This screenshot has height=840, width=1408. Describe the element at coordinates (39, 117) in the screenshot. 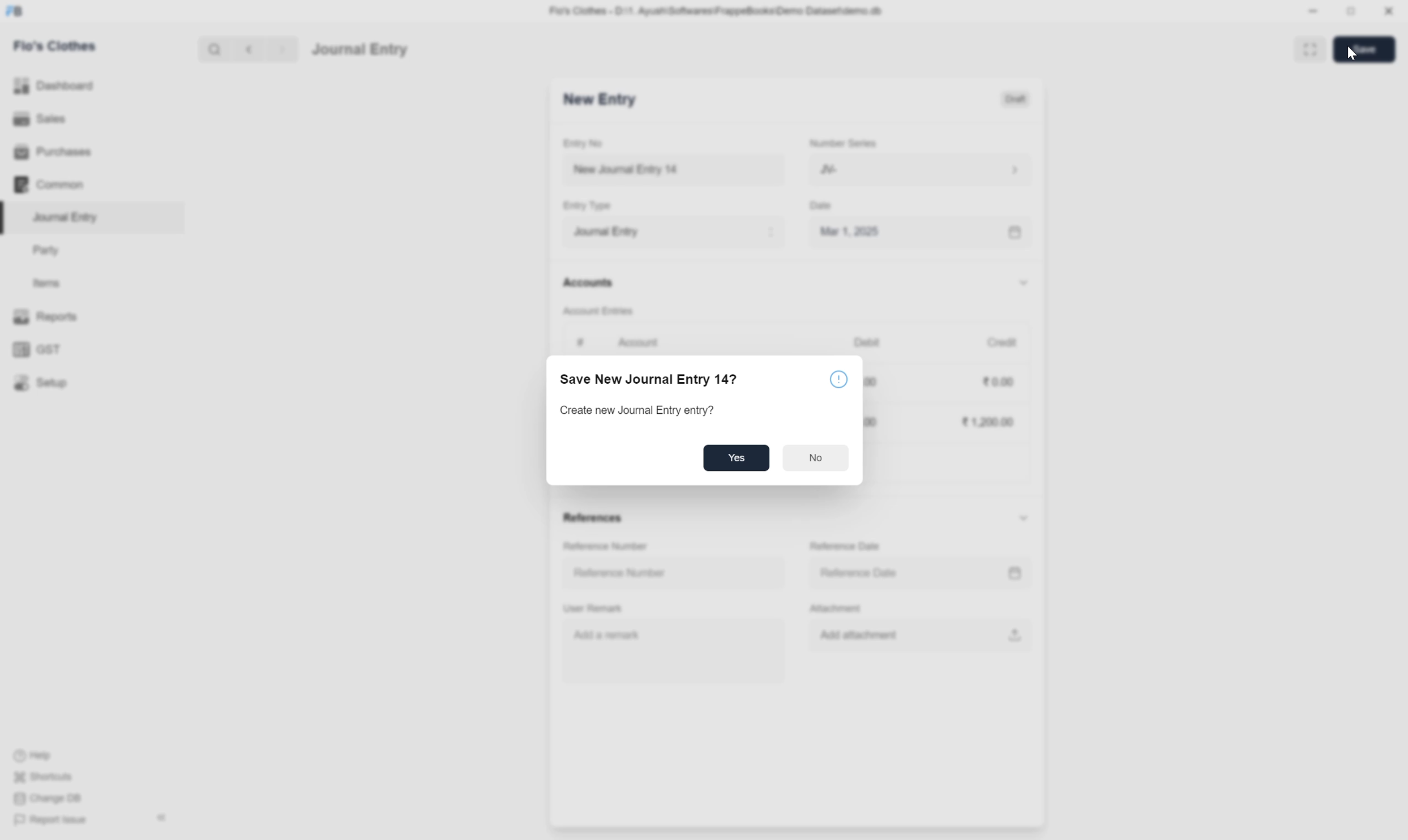

I see `Sales` at that location.